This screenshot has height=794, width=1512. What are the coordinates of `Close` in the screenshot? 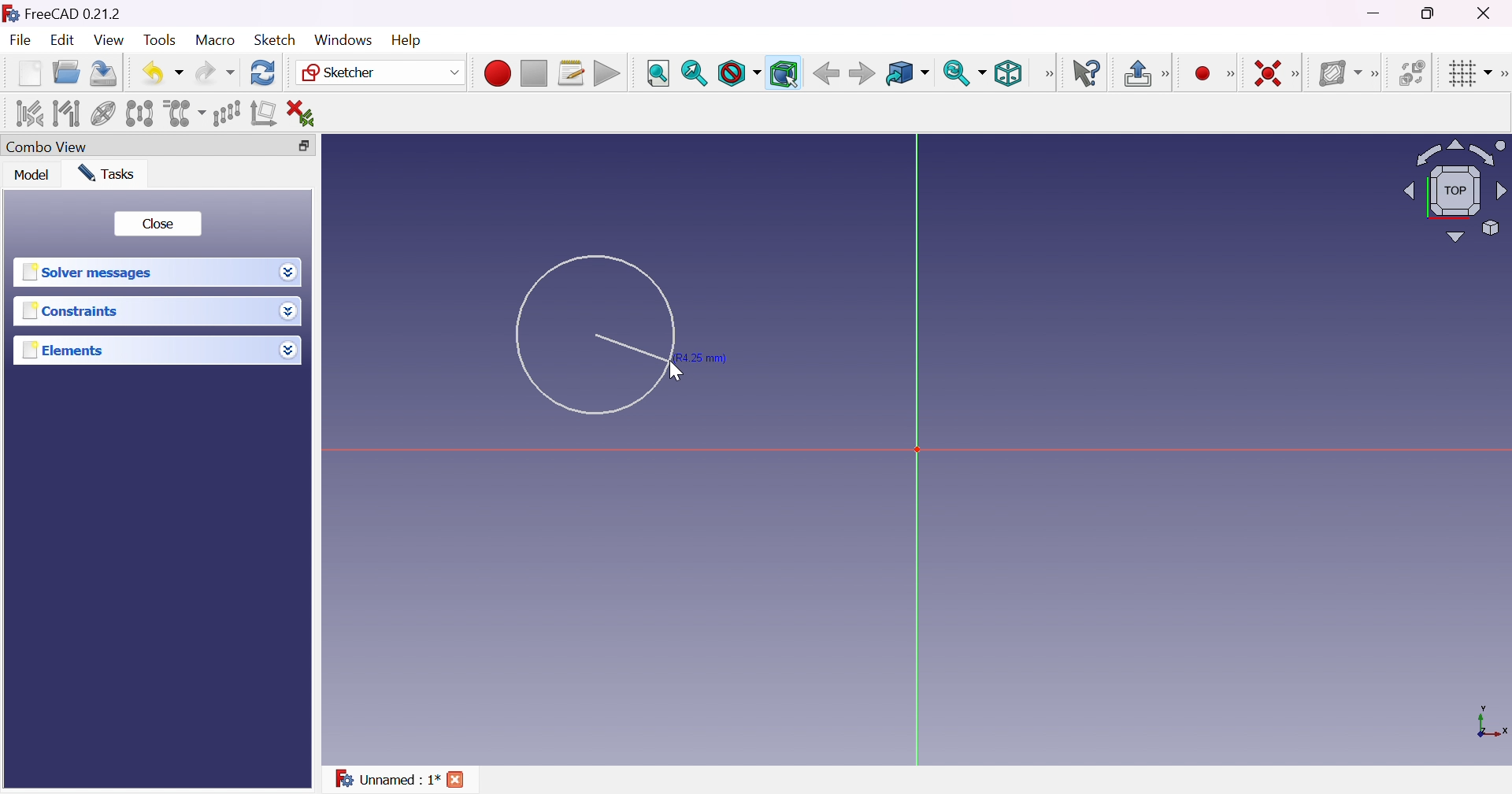 It's located at (457, 778).